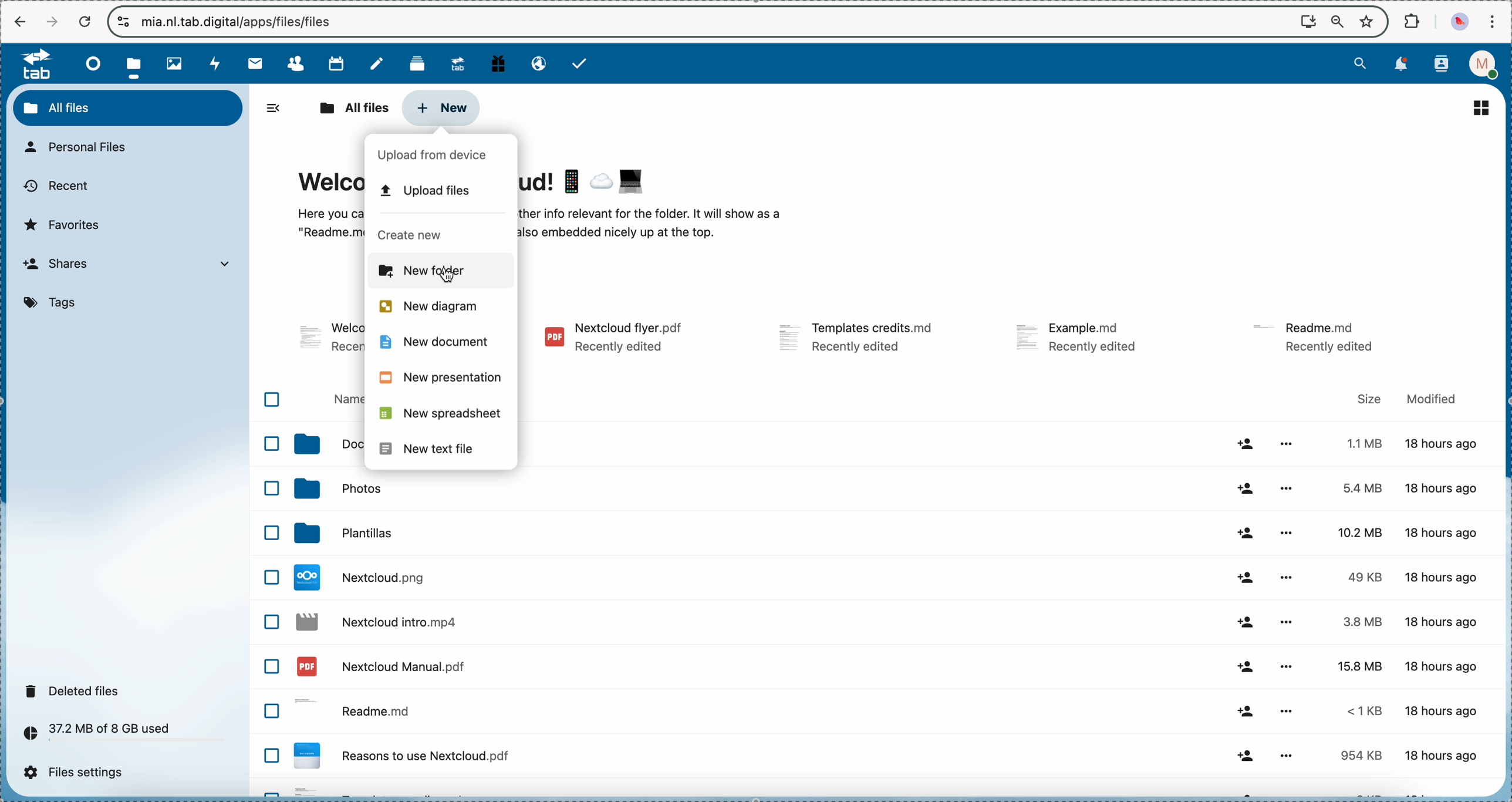 The width and height of the screenshot is (1512, 802). Describe the element at coordinates (1429, 399) in the screenshot. I see `modified` at that location.